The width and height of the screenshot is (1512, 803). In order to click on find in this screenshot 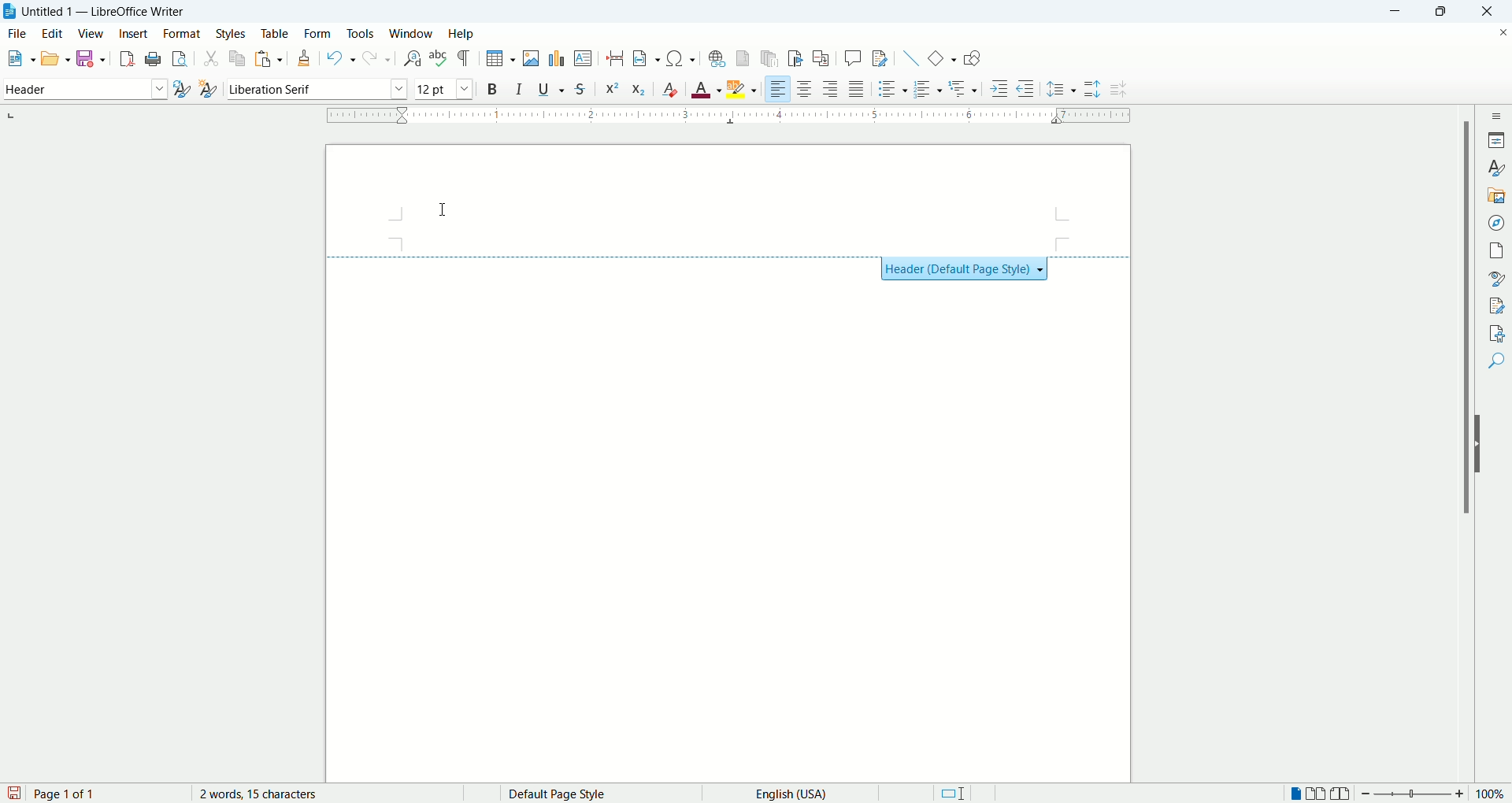, I will do `click(1495, 361)`.